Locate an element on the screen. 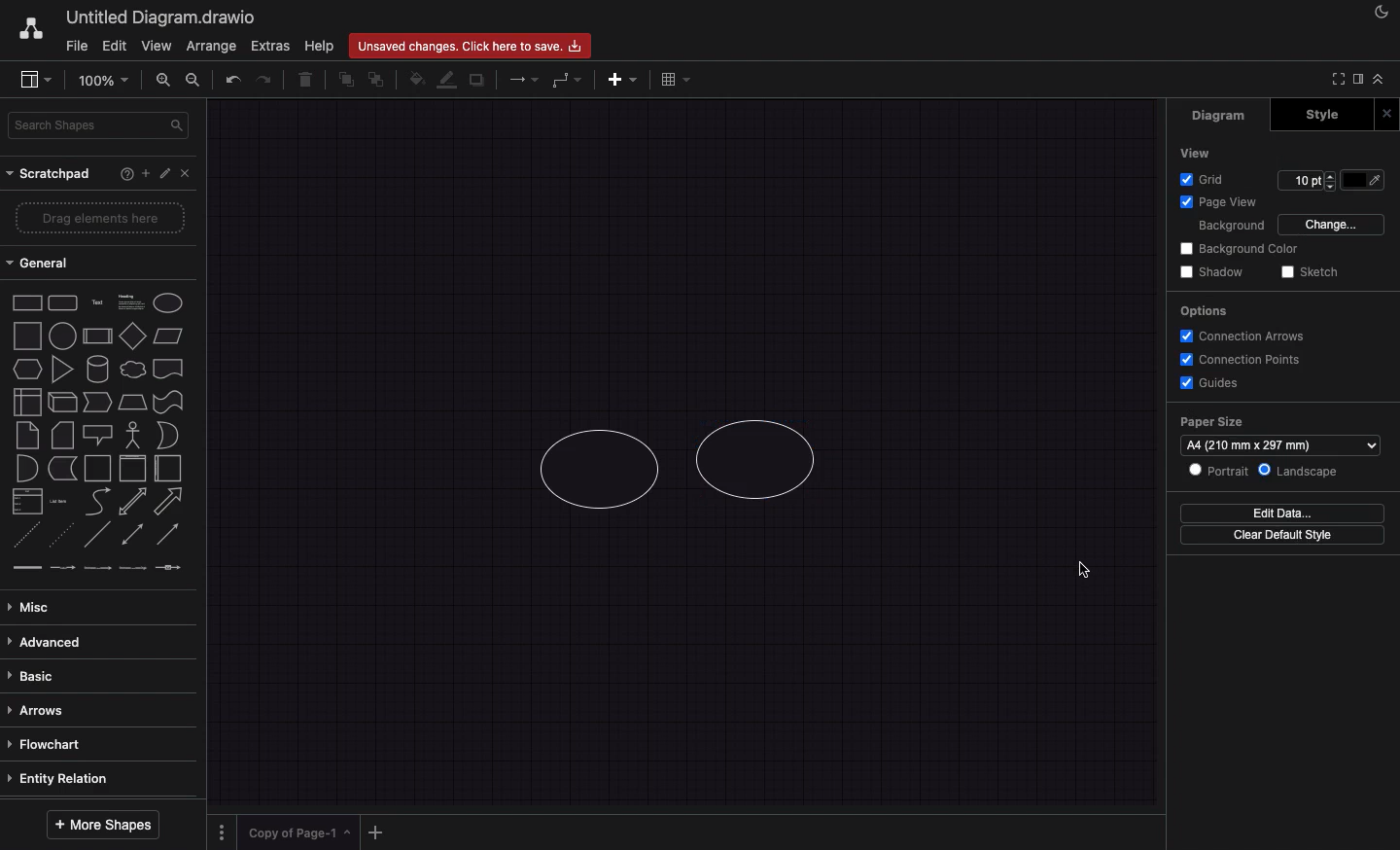 The image size is (1400, 850). or is located at coordinates (168, 436).